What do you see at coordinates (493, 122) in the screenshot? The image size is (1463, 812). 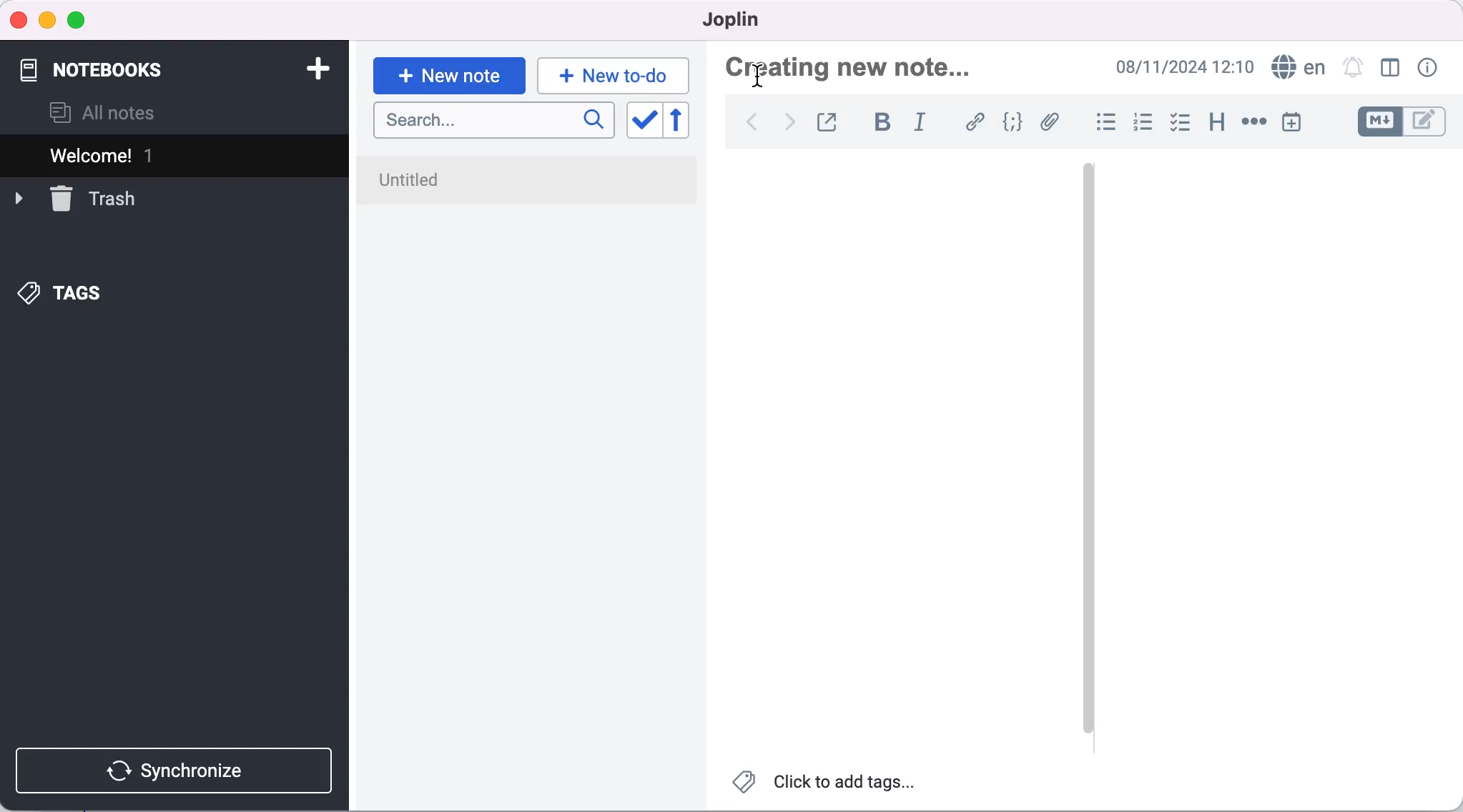 I see `search` at bounding box center [493, 122].